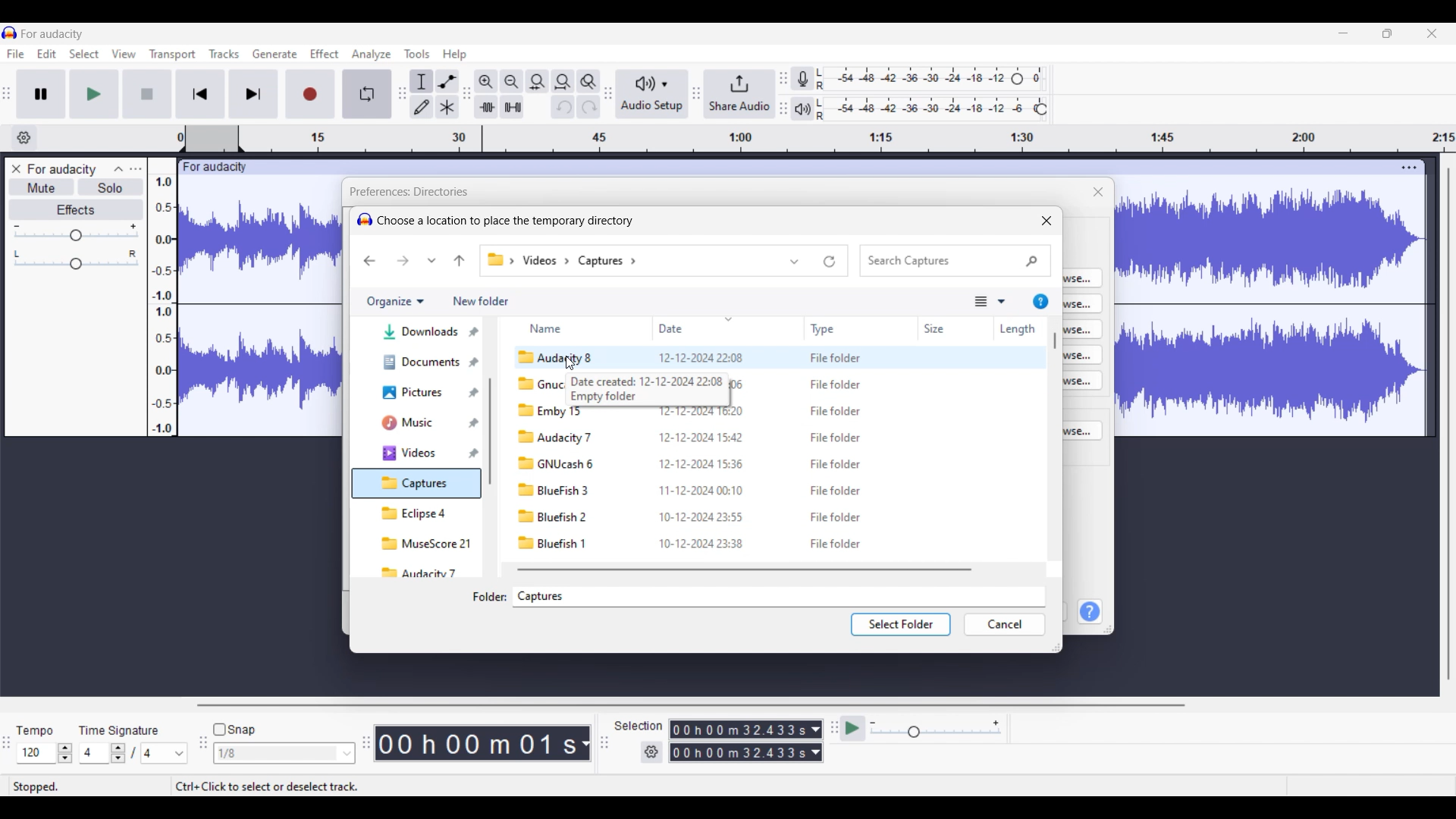 The height and width of the screenshot is (819, 1456). I want to click on audacity 8, so click(557, 357).